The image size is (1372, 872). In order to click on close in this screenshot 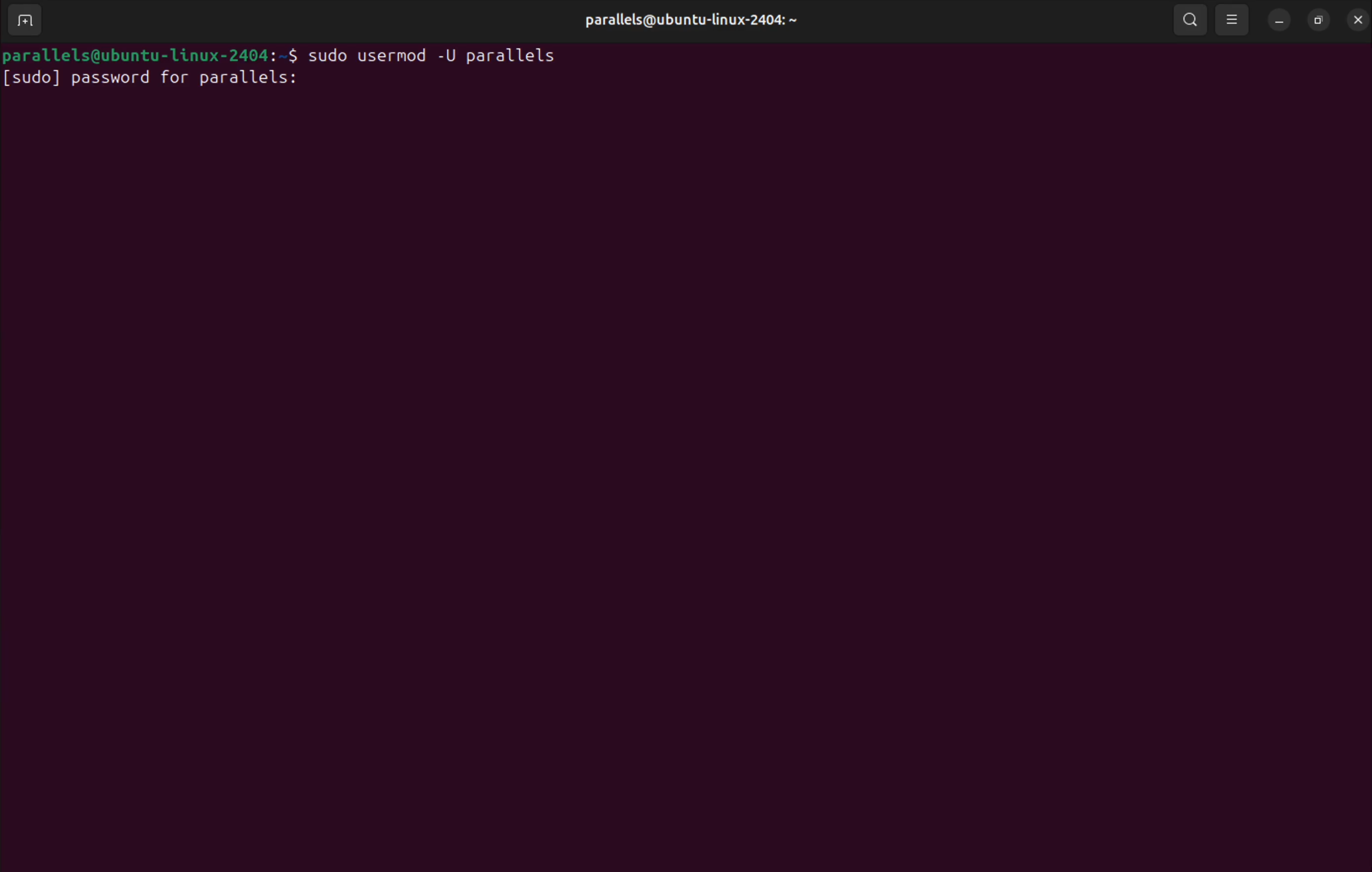, I will do `click(1356, 19)`.